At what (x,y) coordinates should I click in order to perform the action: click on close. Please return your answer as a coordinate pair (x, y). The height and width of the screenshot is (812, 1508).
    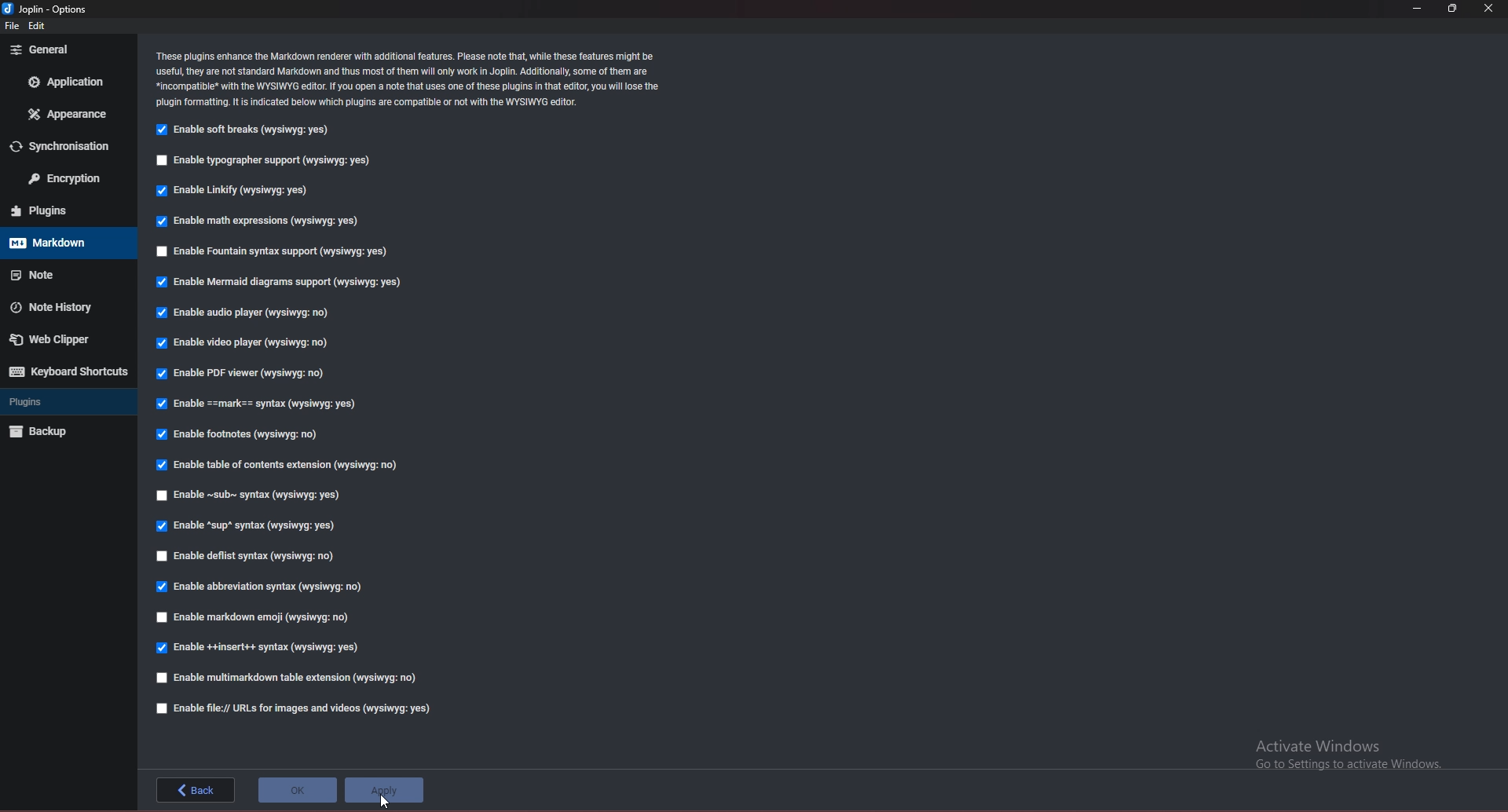
    Looking at the image, I should click on (1491, 9).